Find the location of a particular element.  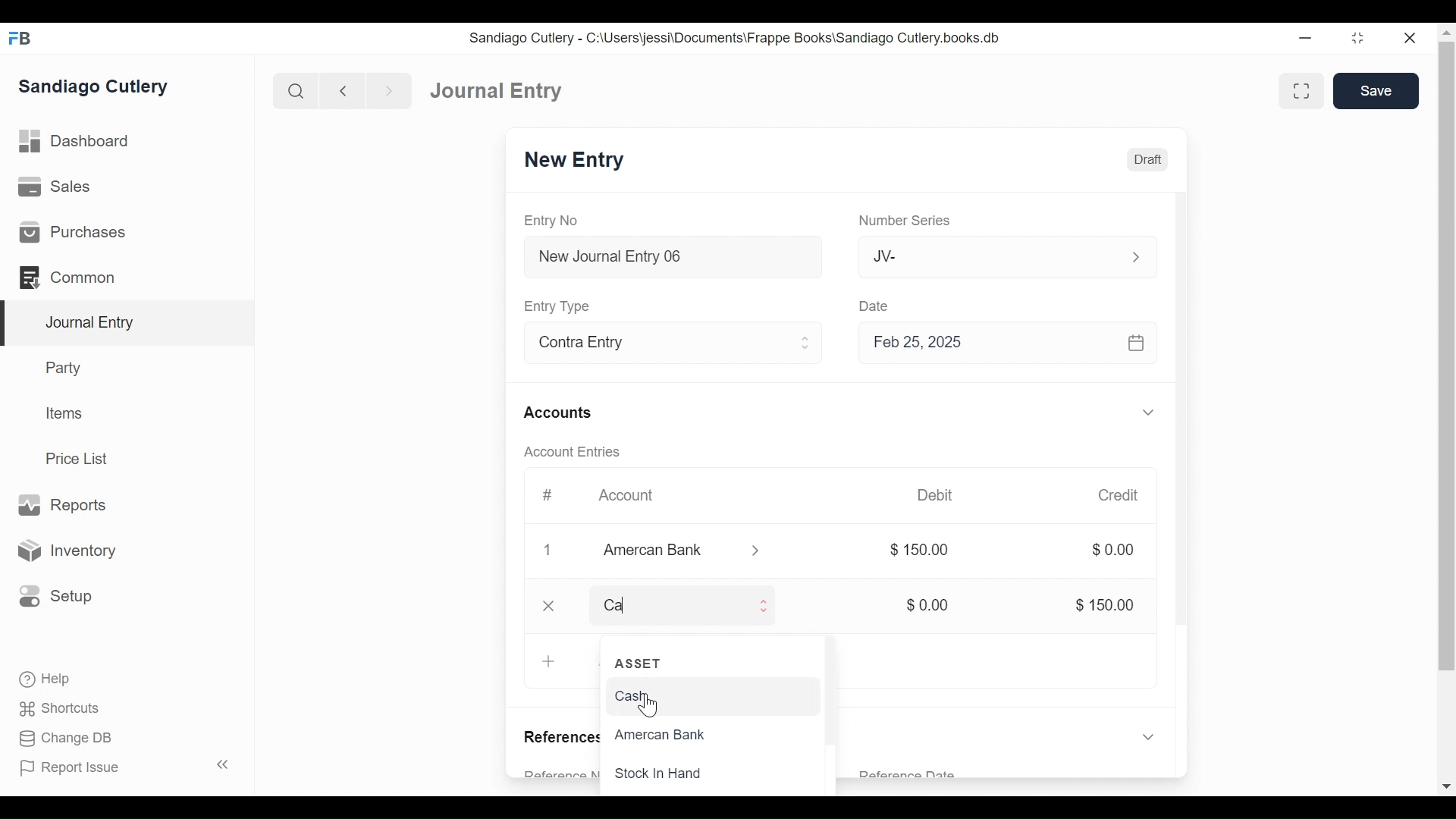

Amercan Bank is located at coordinates (672, 733).